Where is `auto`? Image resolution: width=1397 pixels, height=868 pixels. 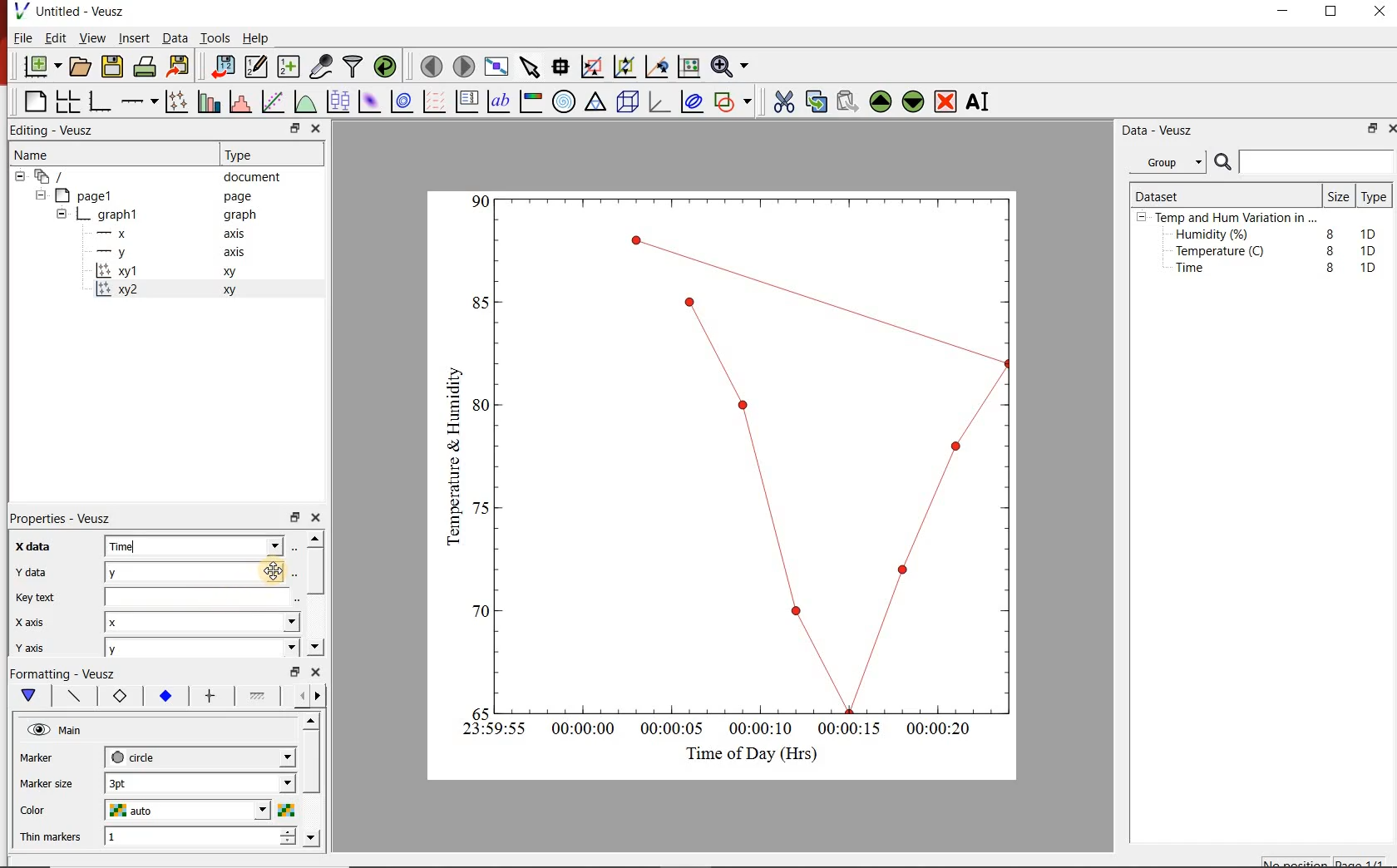 auto is located at coordinates (134, 811).